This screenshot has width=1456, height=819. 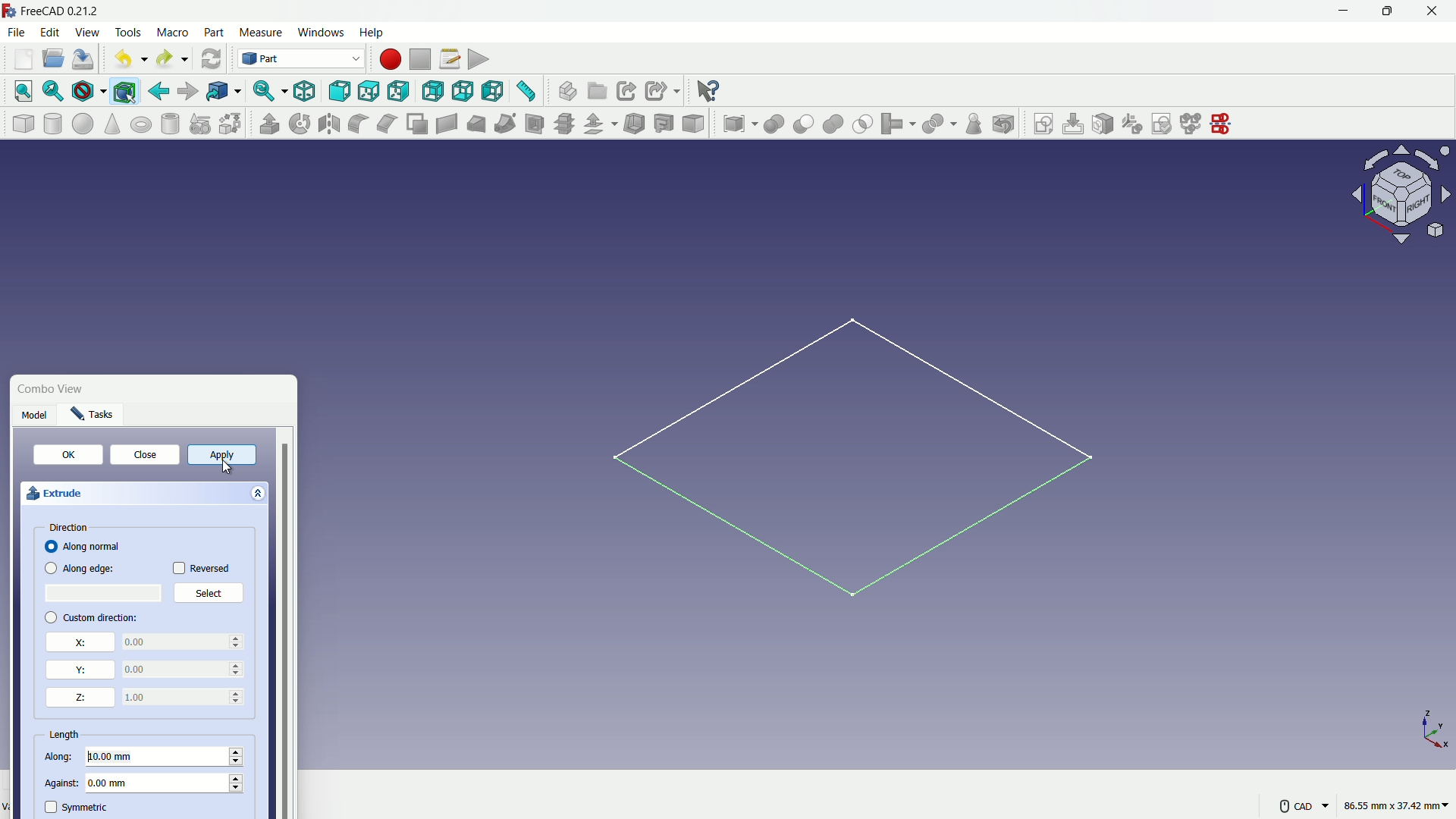 What do you see at coordinates (63, 11) in the screenshot?
I see `FreeCAD 0.21.2` at bounding box center [63, 11].